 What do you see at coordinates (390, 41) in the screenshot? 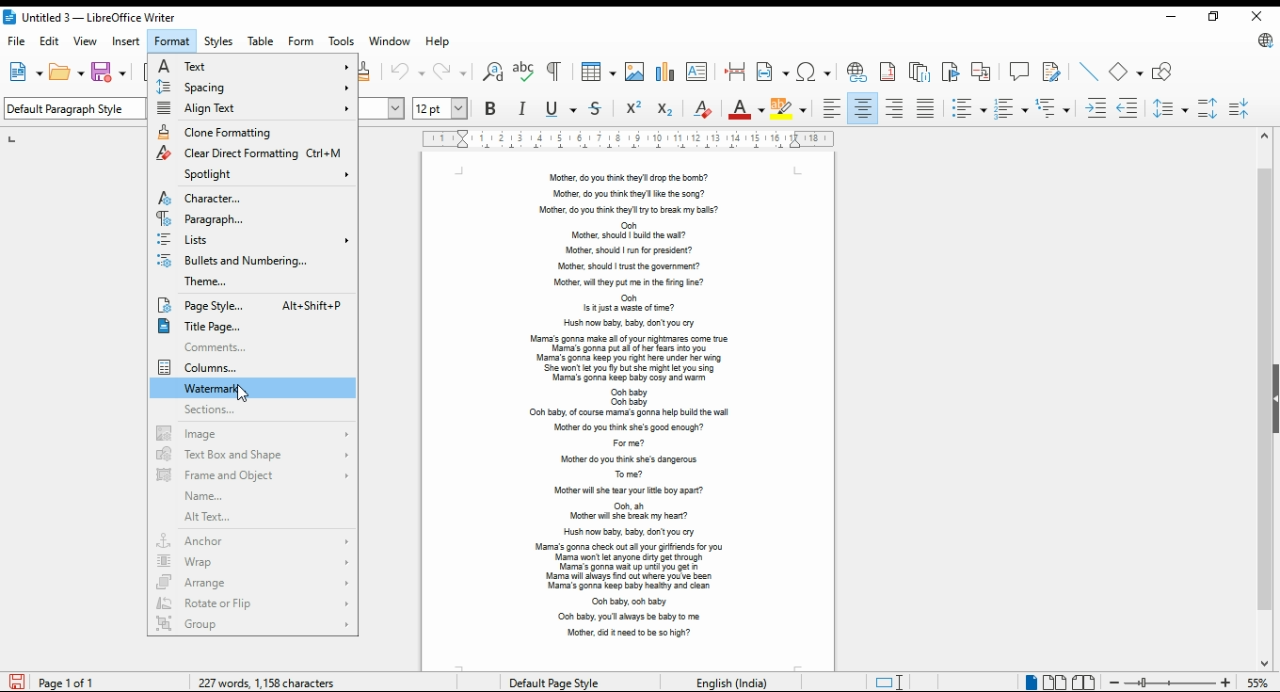
I see `window` at bounding box center [390, 41].